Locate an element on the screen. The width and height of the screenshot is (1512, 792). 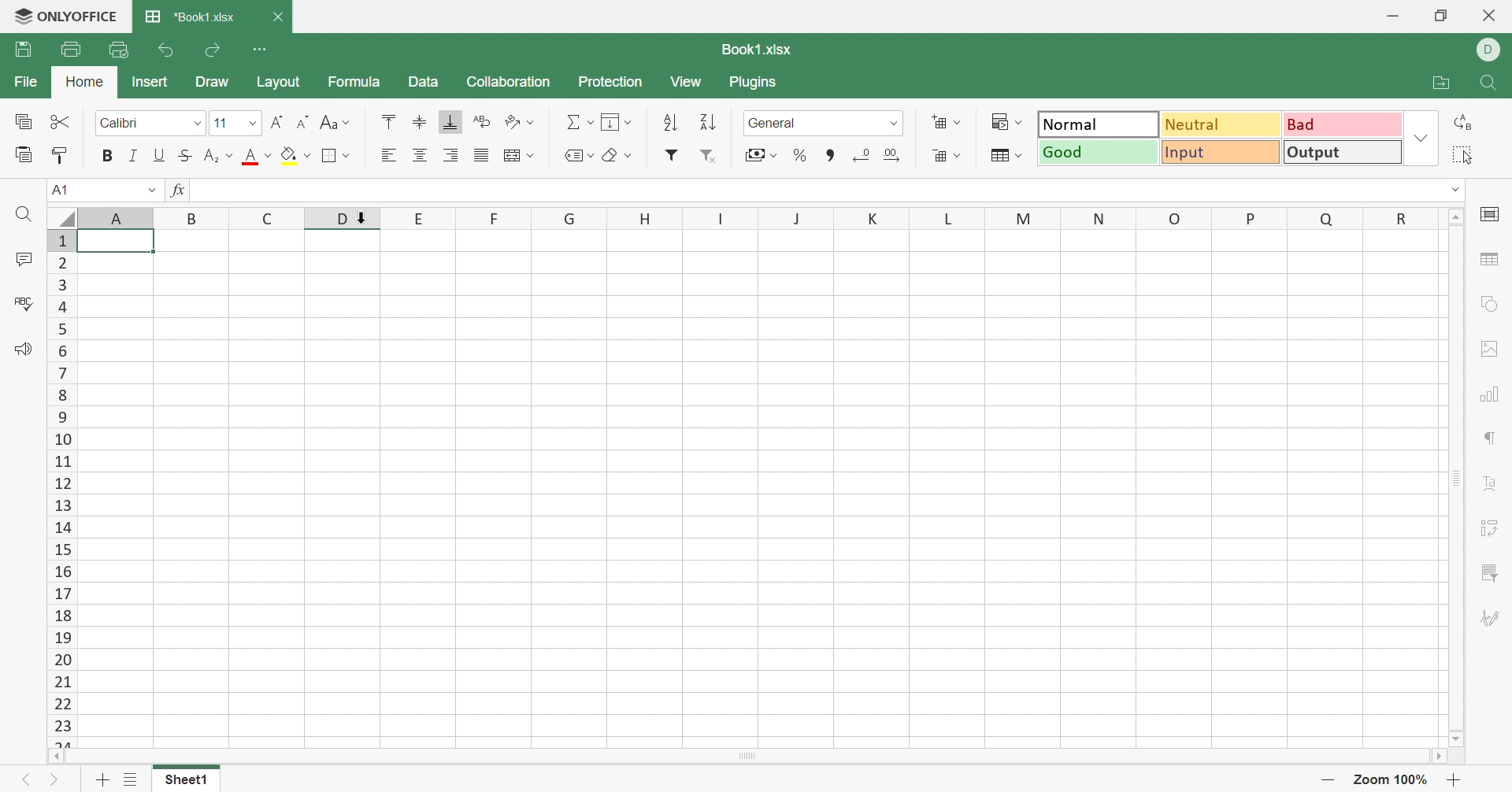
Zoom 100% is located at coordinates (1392, 779).